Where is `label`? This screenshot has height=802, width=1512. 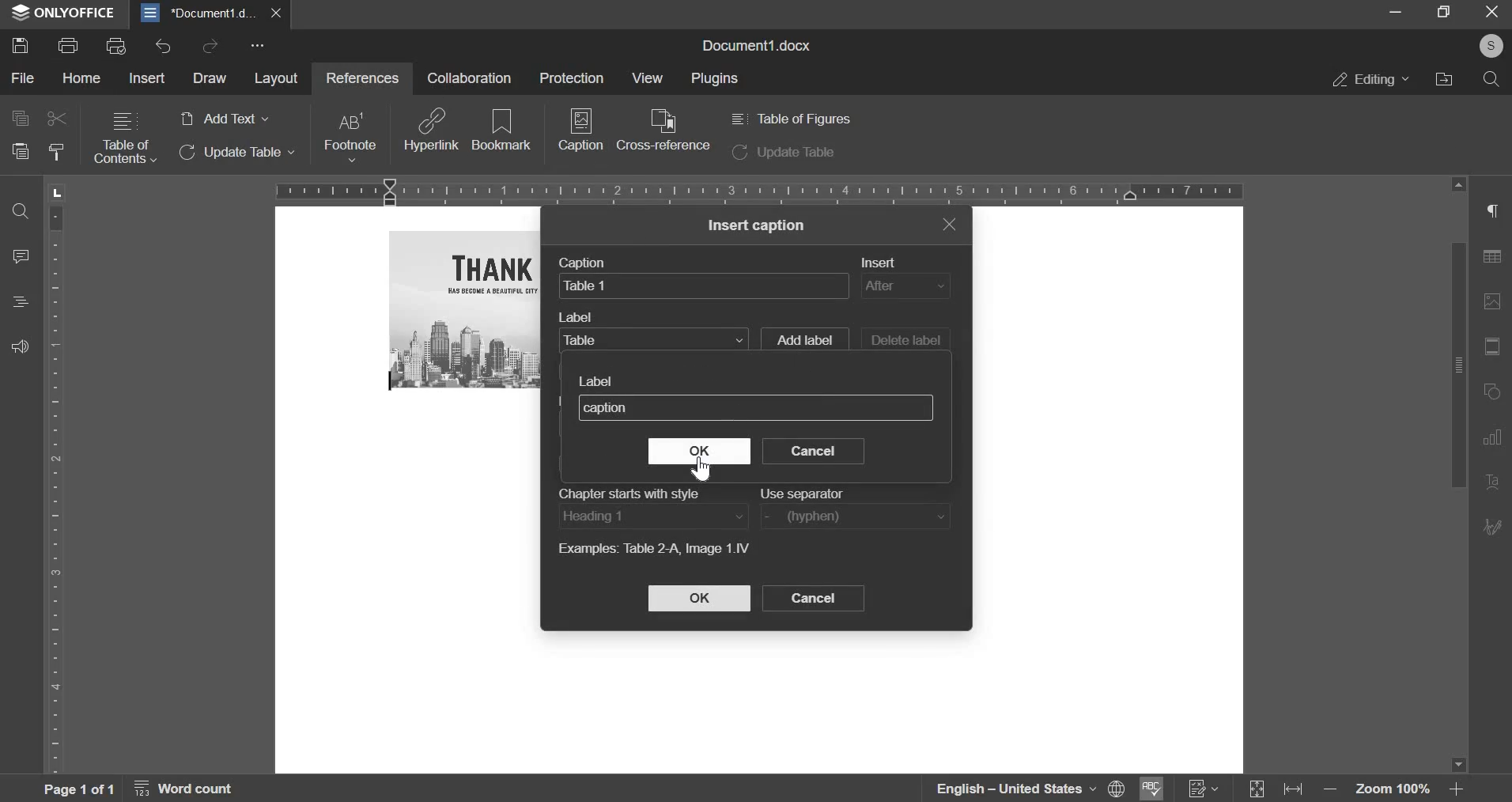
label is located at coordinates (653, 339).